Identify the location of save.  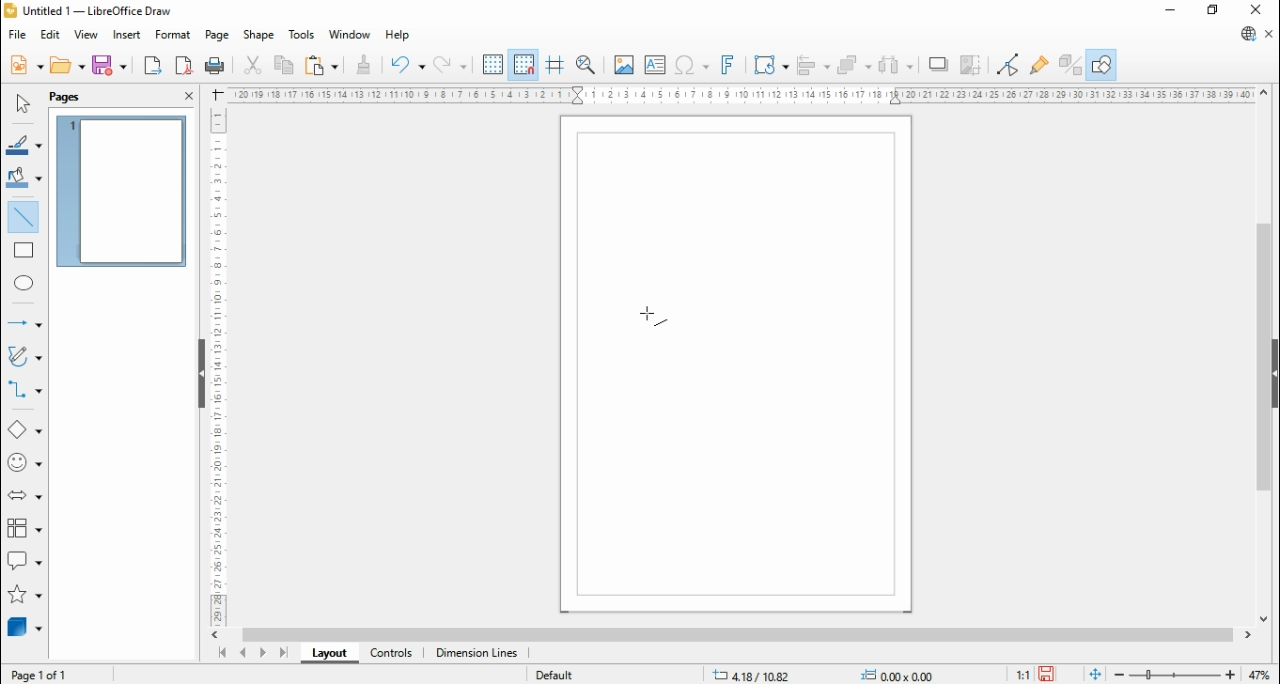
(111, 65).